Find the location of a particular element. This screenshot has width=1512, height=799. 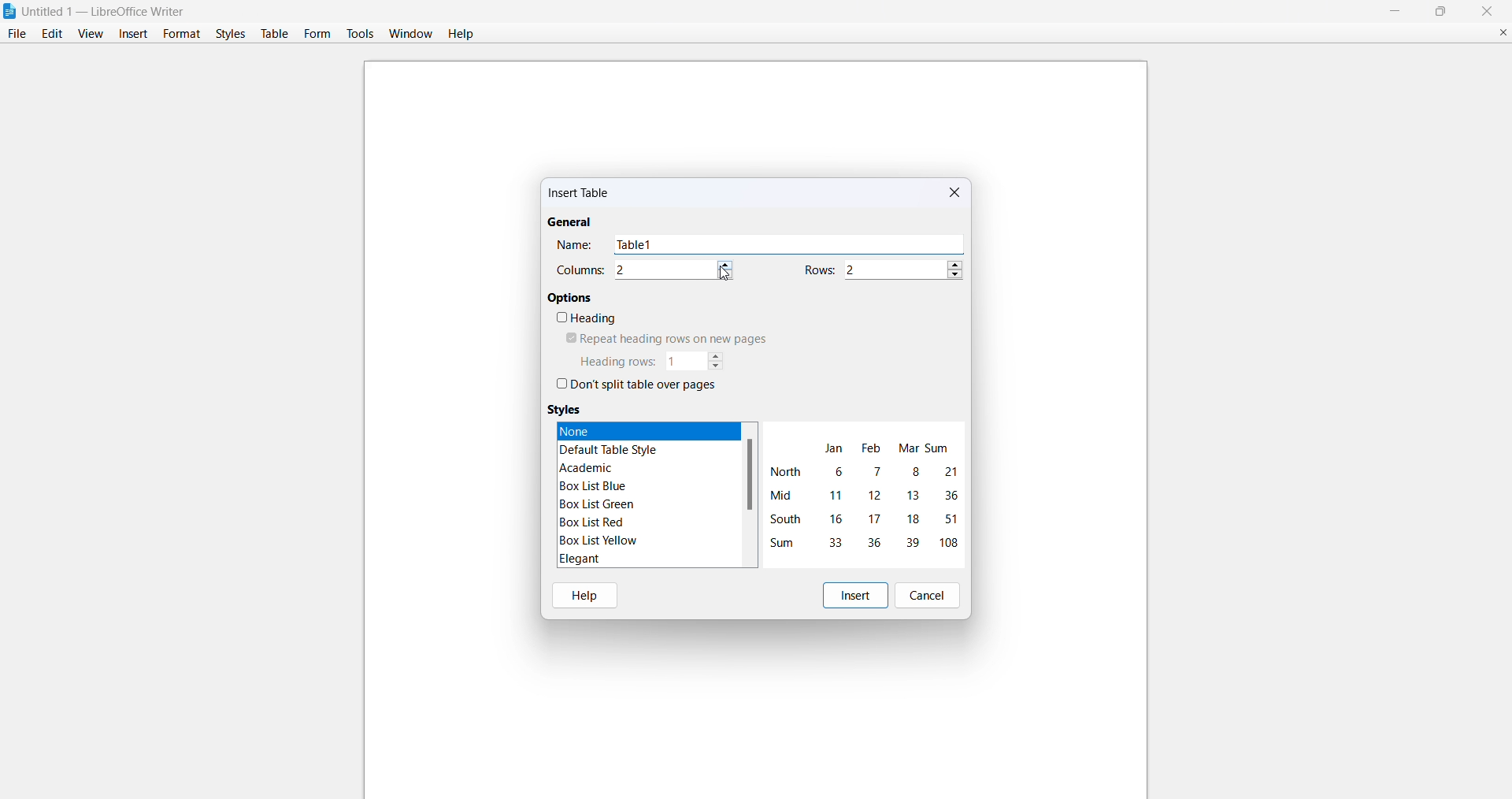

window is located at coordinates (408, 33).